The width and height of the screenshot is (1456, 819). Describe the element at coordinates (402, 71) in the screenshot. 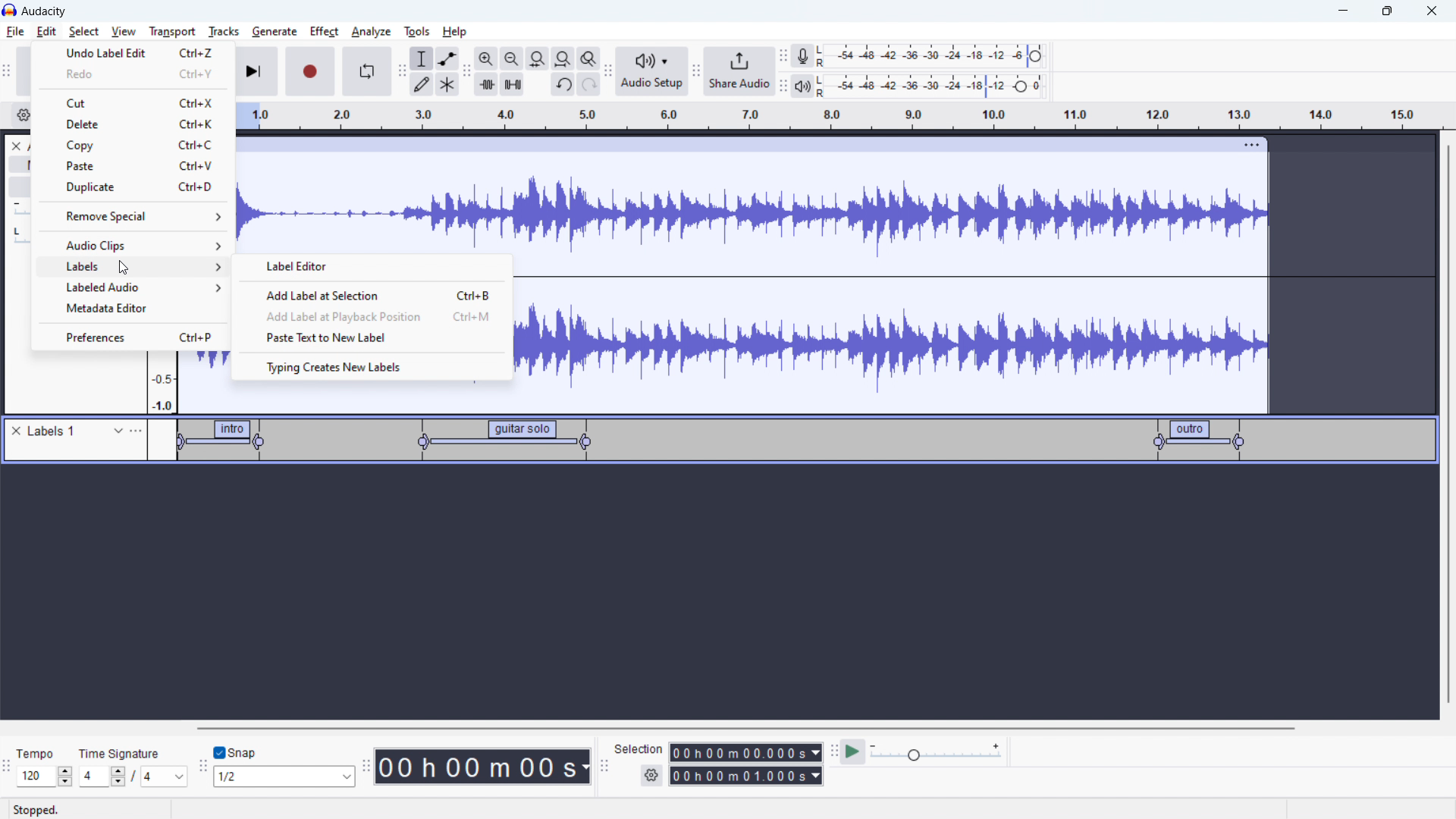

I see `tools toolbar` at that location.